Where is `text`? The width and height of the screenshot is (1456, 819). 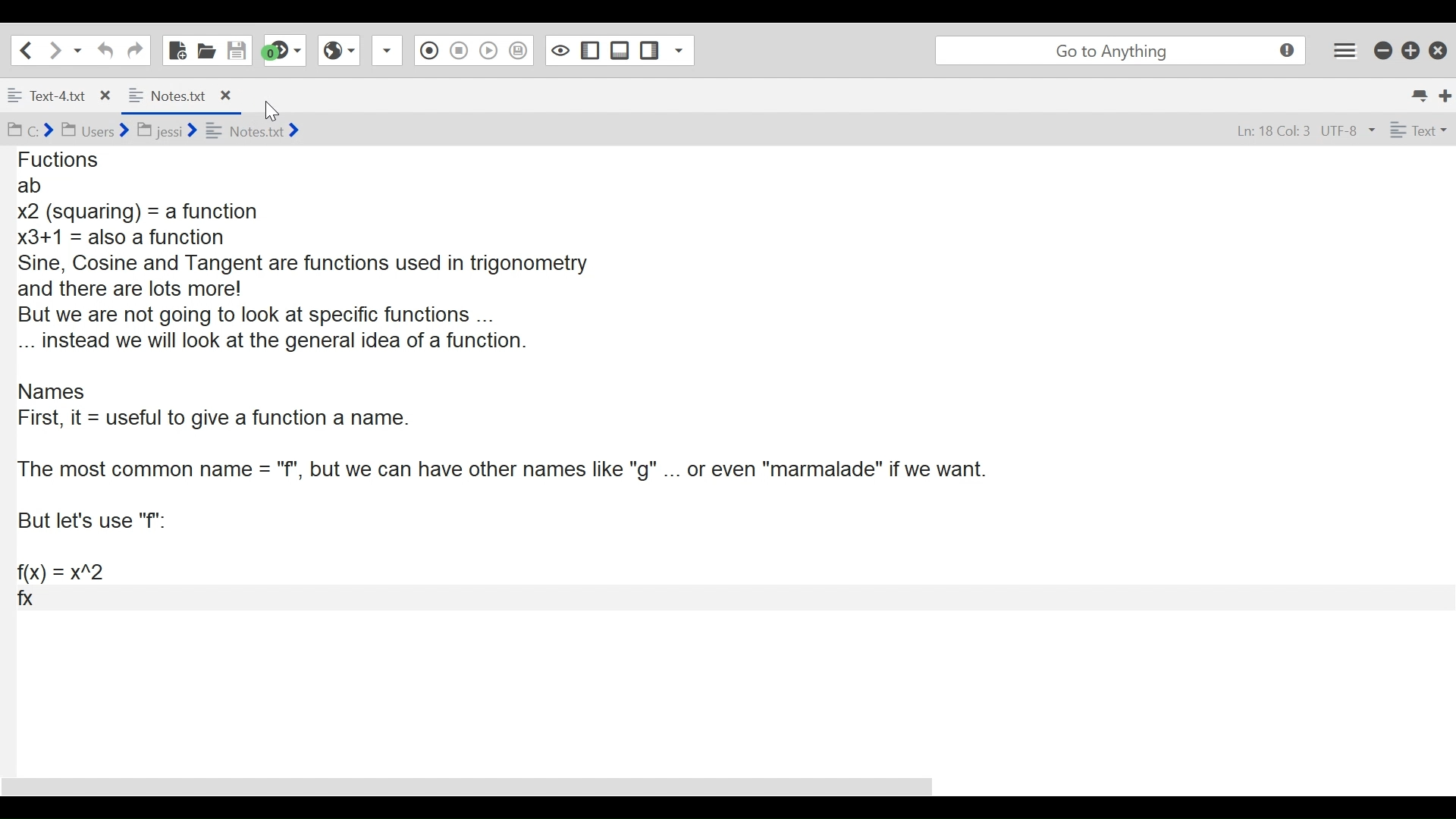
text is located at coordinates (1416, 130).